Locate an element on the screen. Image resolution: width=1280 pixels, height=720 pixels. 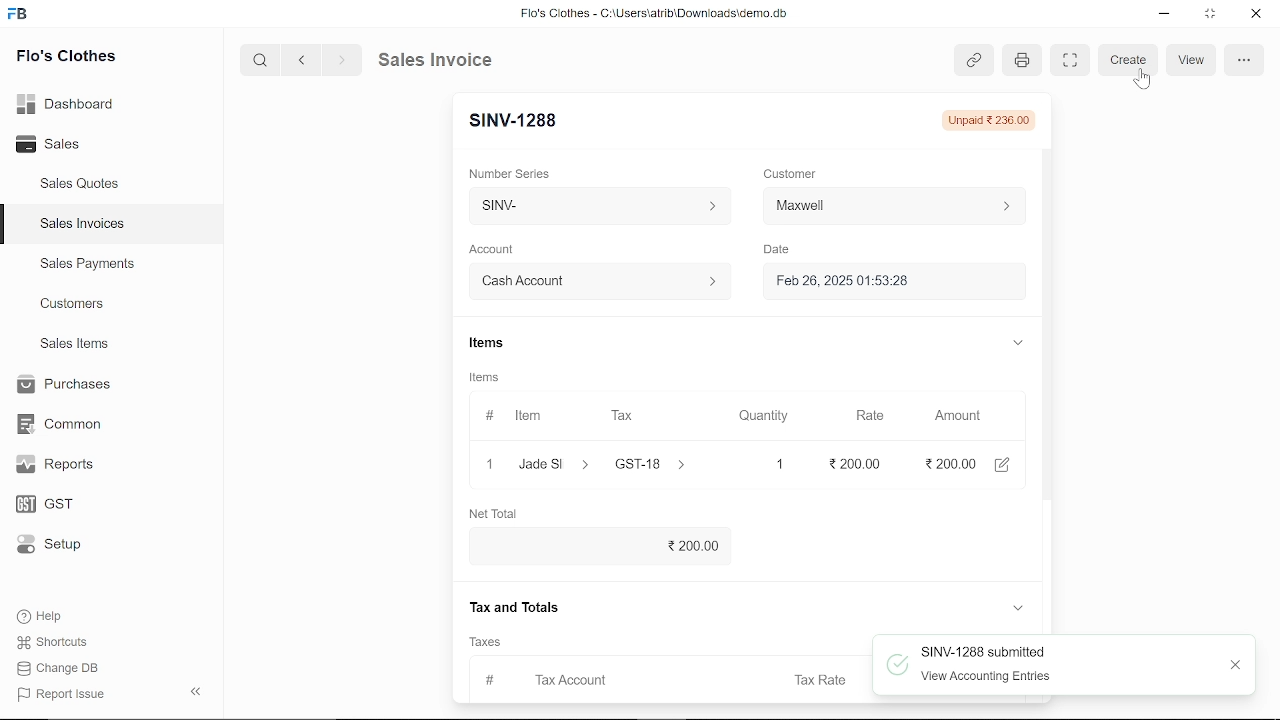
Feb 26, 2025 01:53:28 is located at coordinates (870, 282).